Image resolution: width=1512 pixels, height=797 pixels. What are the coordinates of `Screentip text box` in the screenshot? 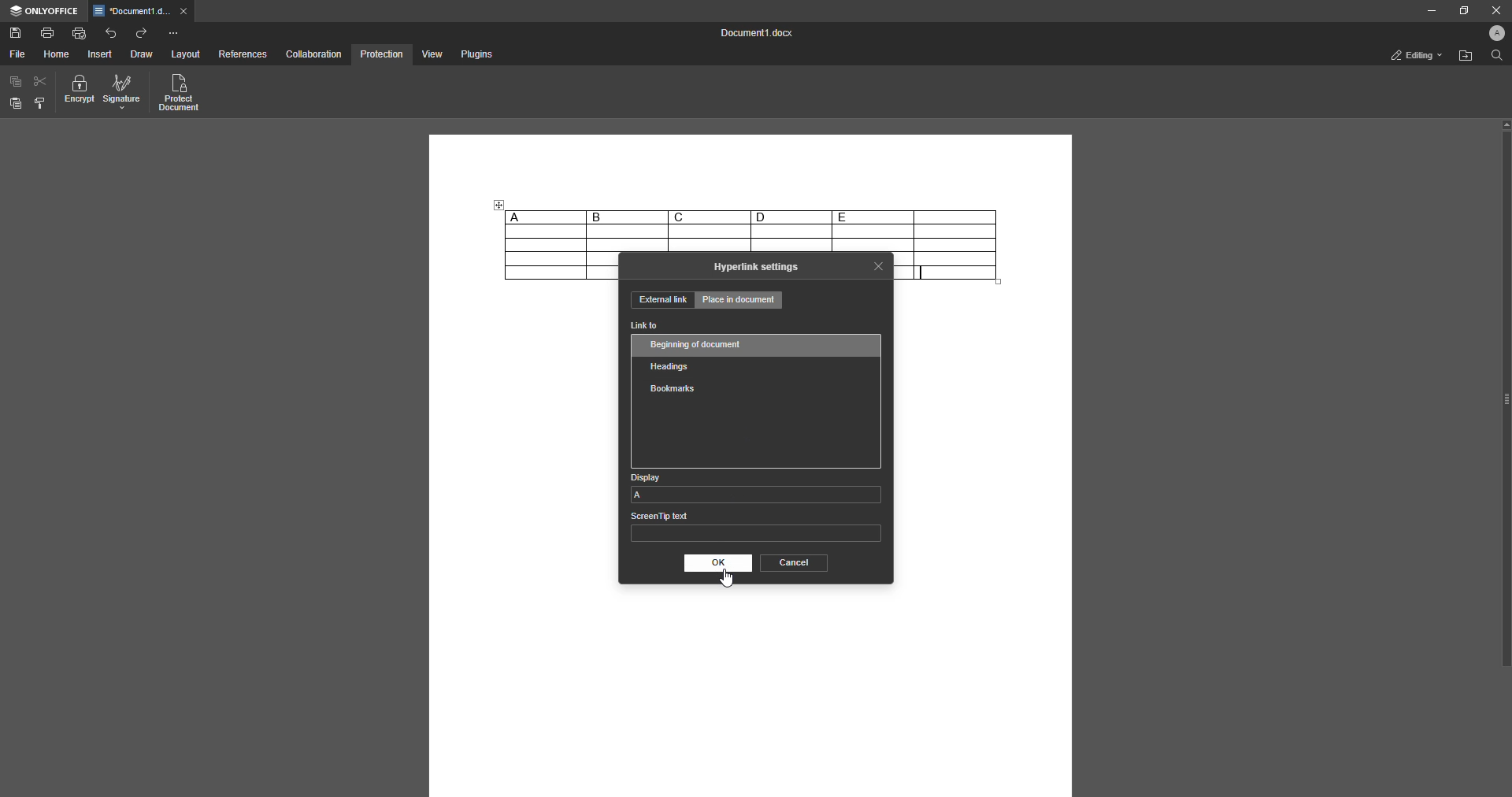 It's located at (755, 530).